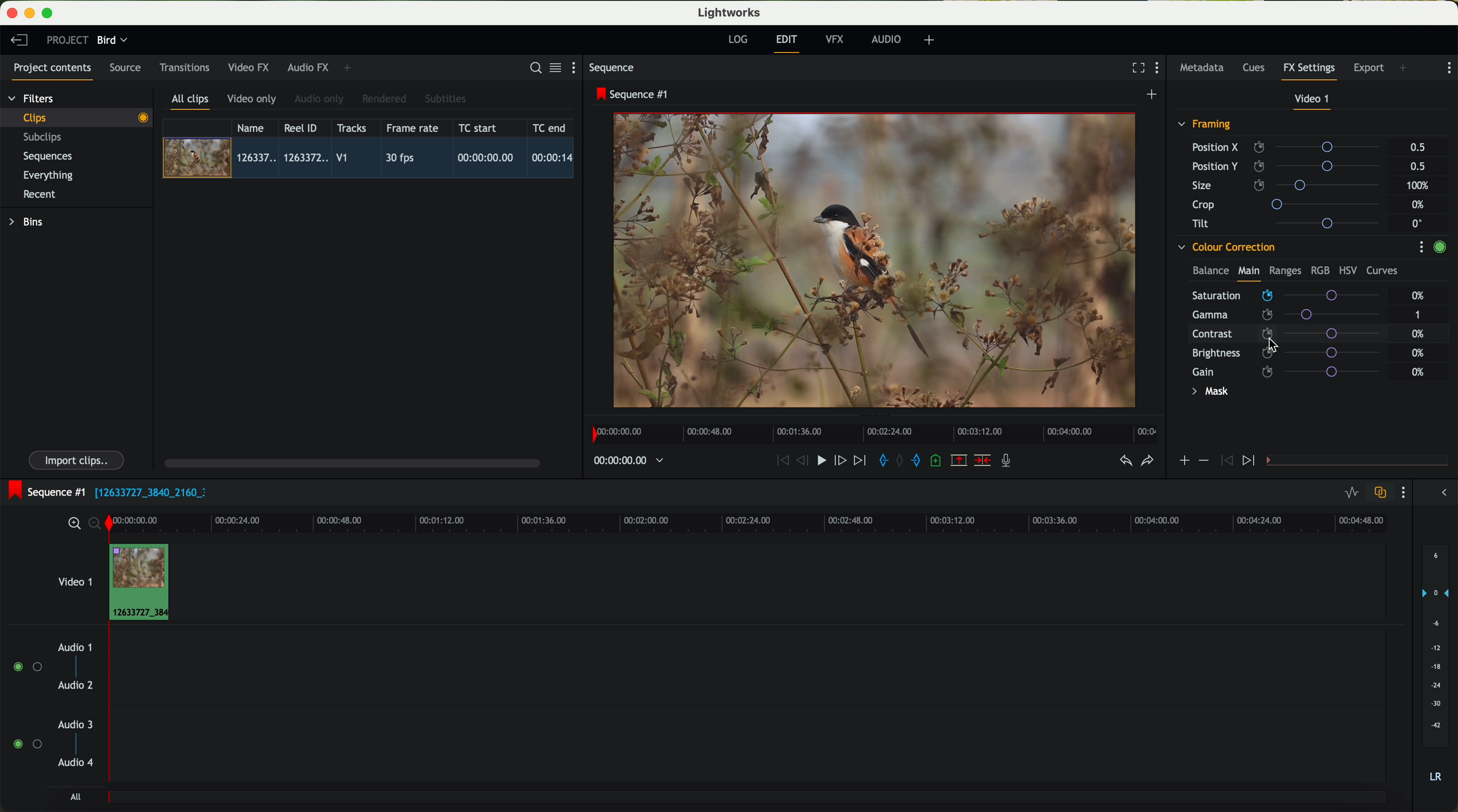 The image size is (1458, 812). What do you see at coordinates (320, 99) in the screenshot?
I see `audio only` at bounding box center [320, 99].